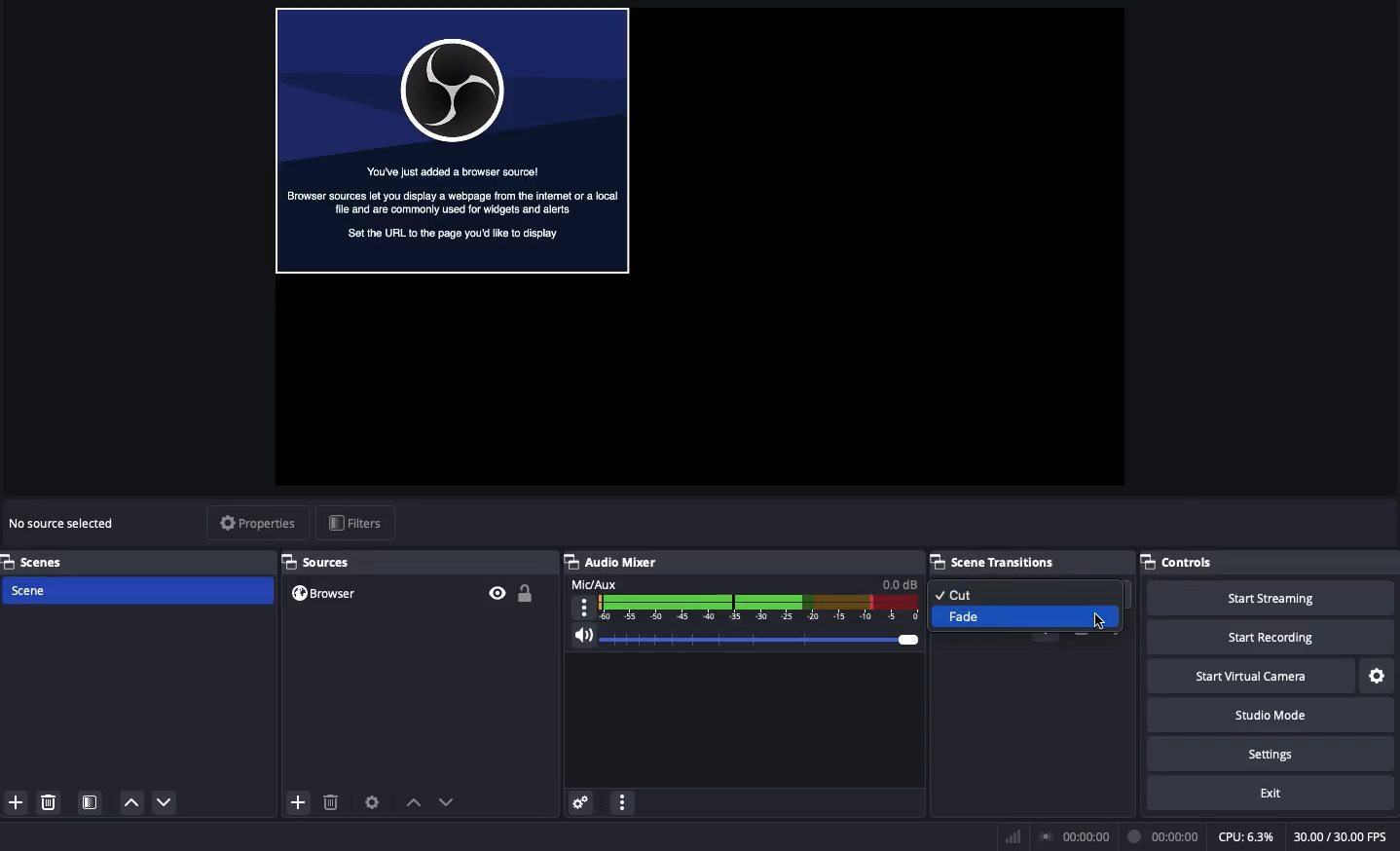 Image resolution: width=1400 pixels, height=851 pixels. I want to click on Settings, so click(1378, 676).